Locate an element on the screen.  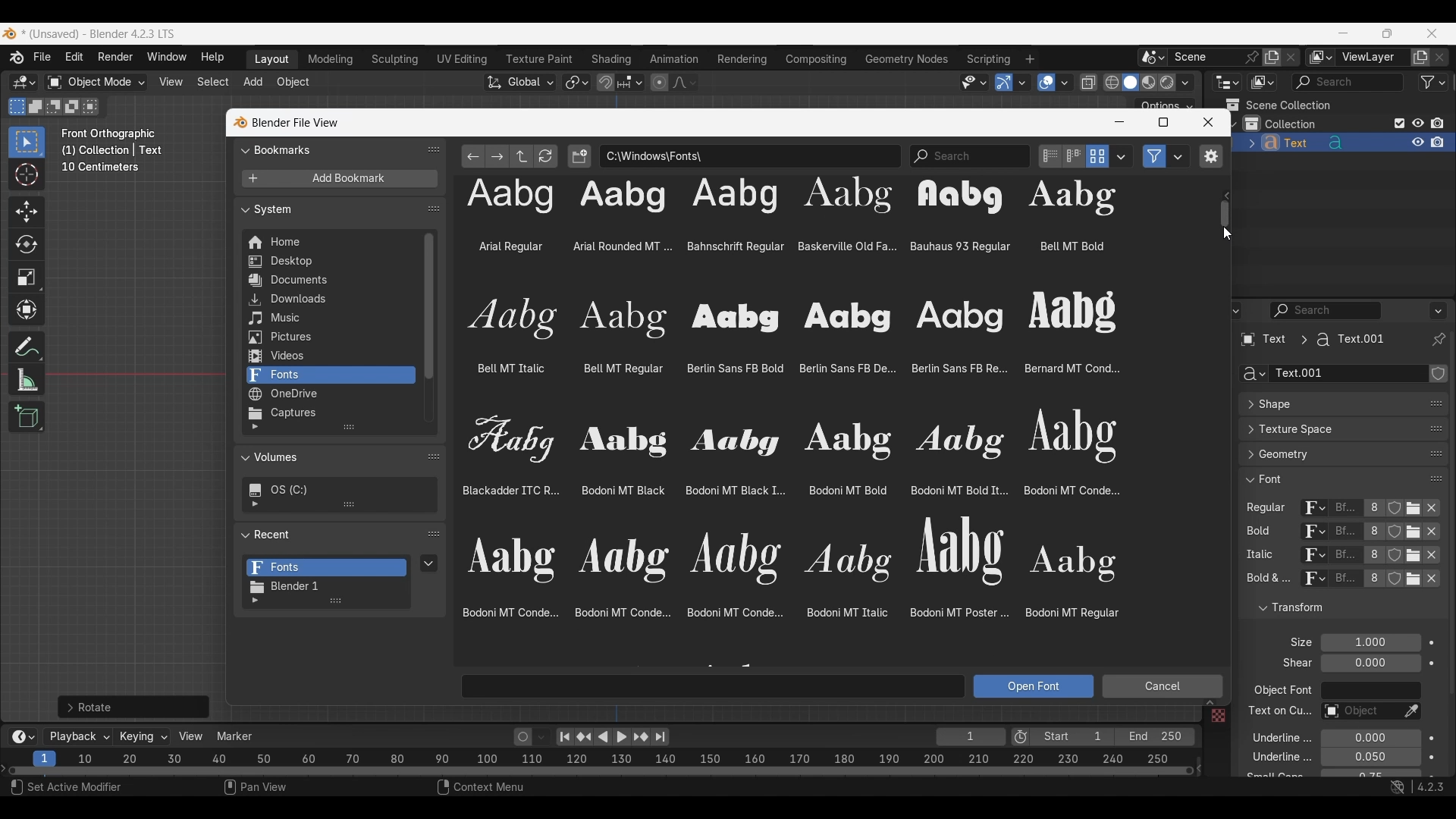
Viewport shading, solid is located at coordinates (1130, 83).